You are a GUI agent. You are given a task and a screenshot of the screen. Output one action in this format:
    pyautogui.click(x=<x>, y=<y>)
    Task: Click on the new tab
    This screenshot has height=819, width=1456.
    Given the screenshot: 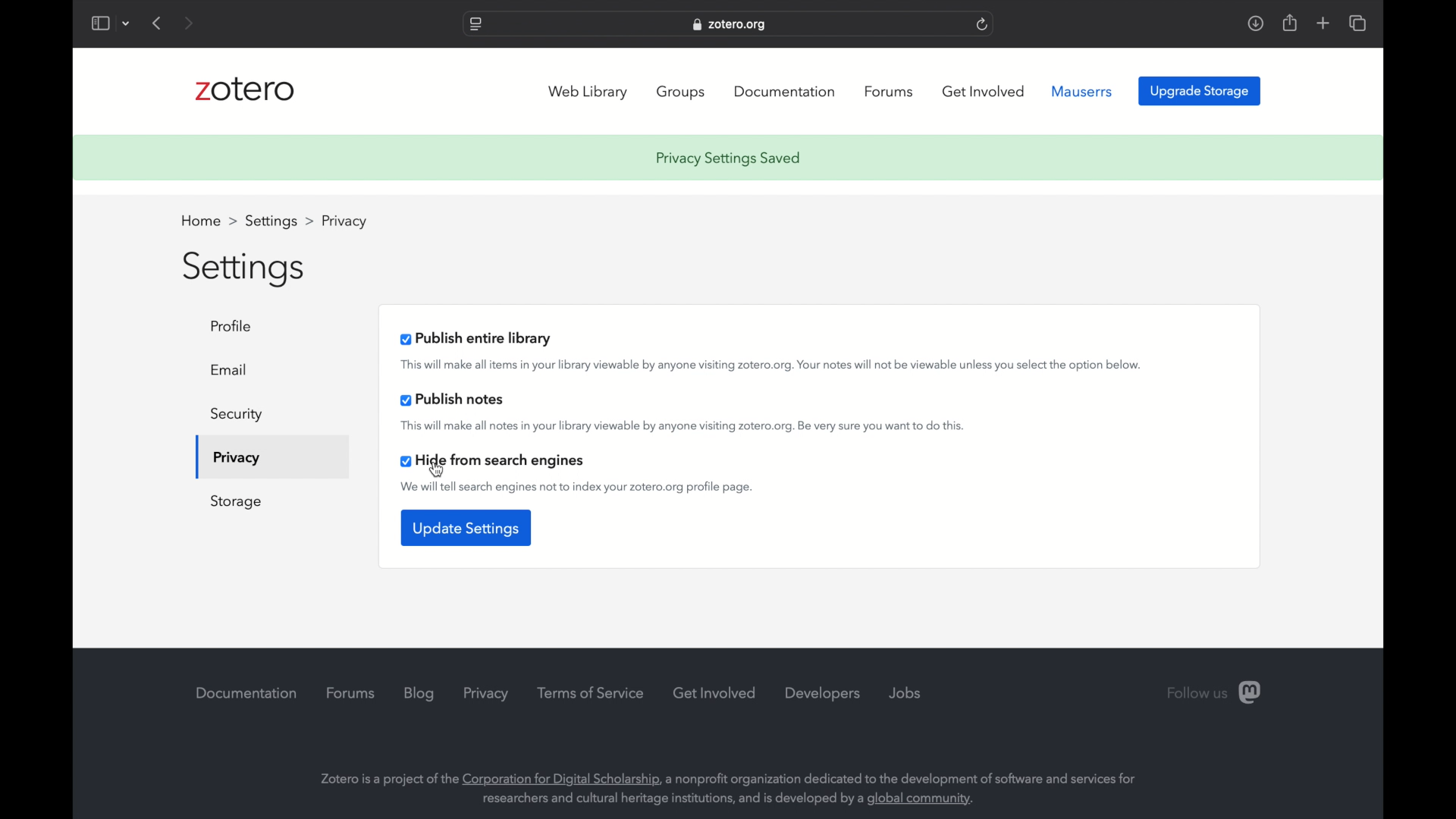 What is the action you would take?
    pyautogui.click(x=1323, y=23)
    